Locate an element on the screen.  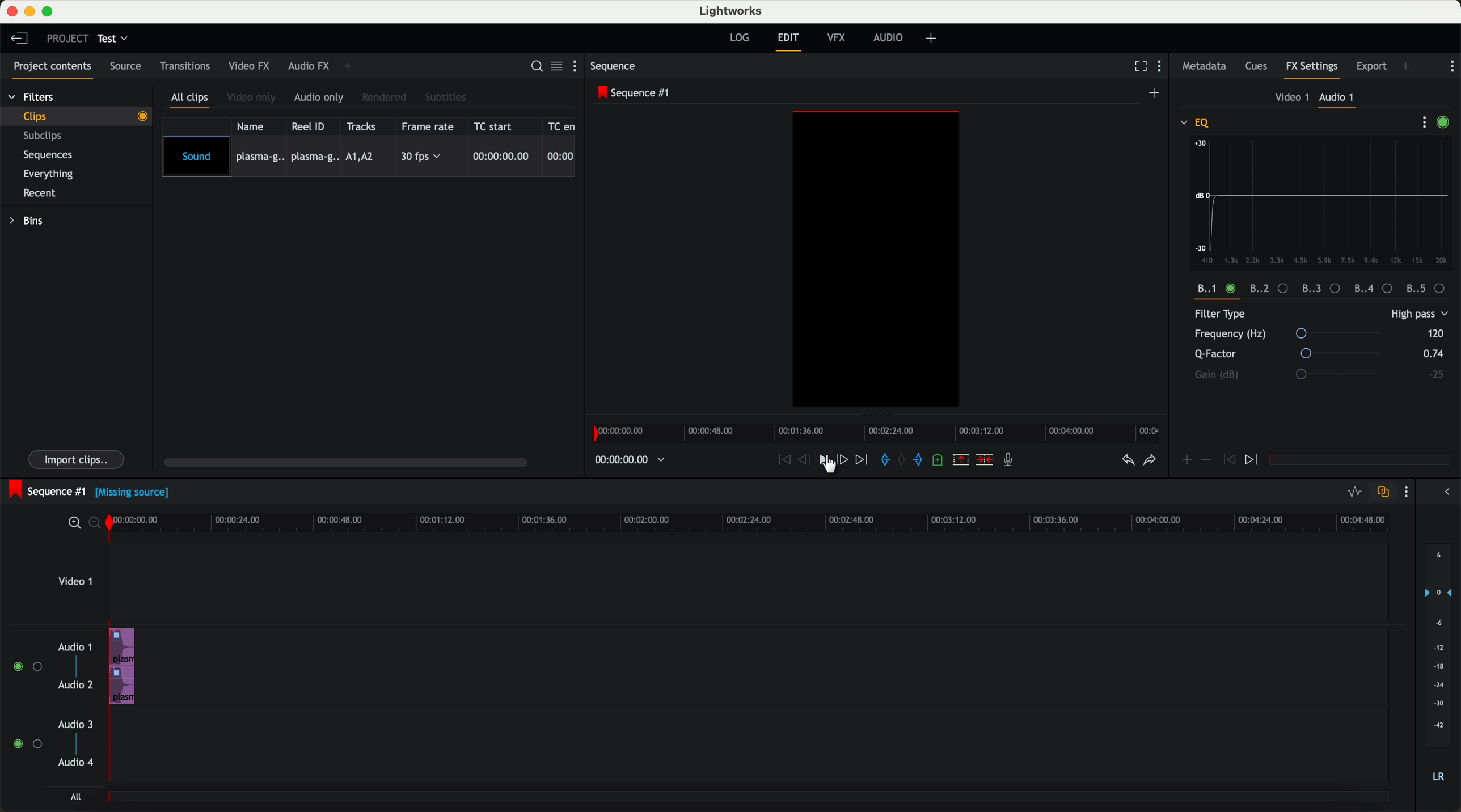
audio 1 is located at coordinates (1338, 99).